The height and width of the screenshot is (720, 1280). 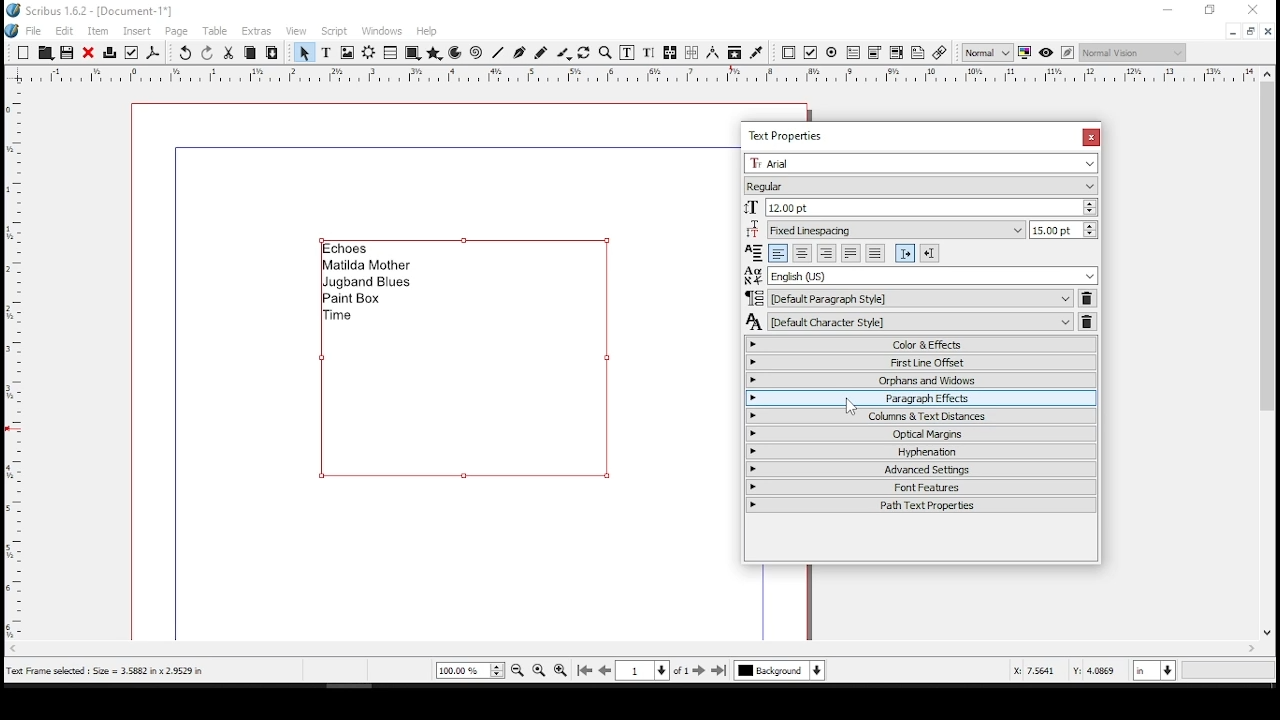 I want to click on shape, so click(x=411, y=52).